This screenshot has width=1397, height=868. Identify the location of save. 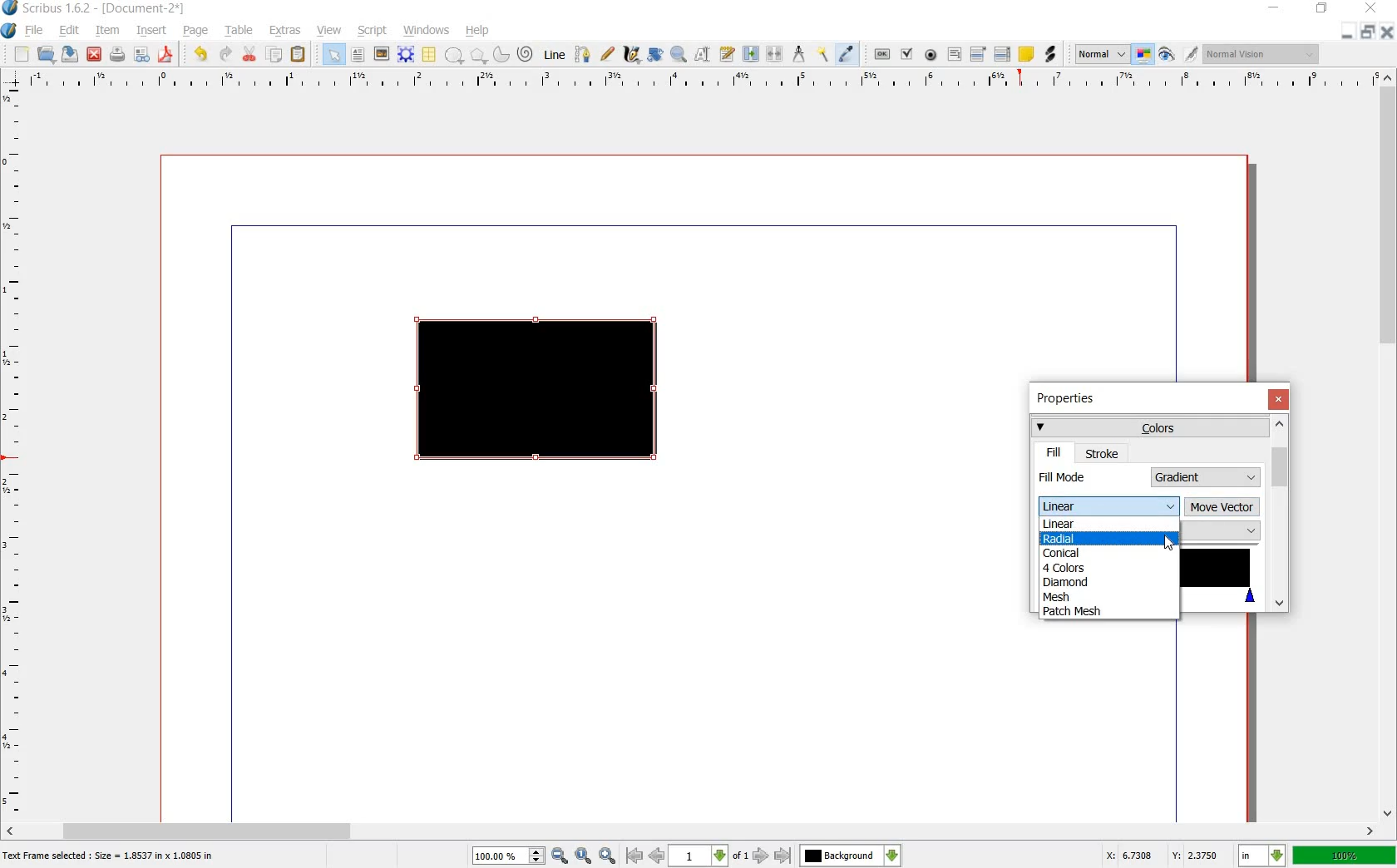
(72, 54).